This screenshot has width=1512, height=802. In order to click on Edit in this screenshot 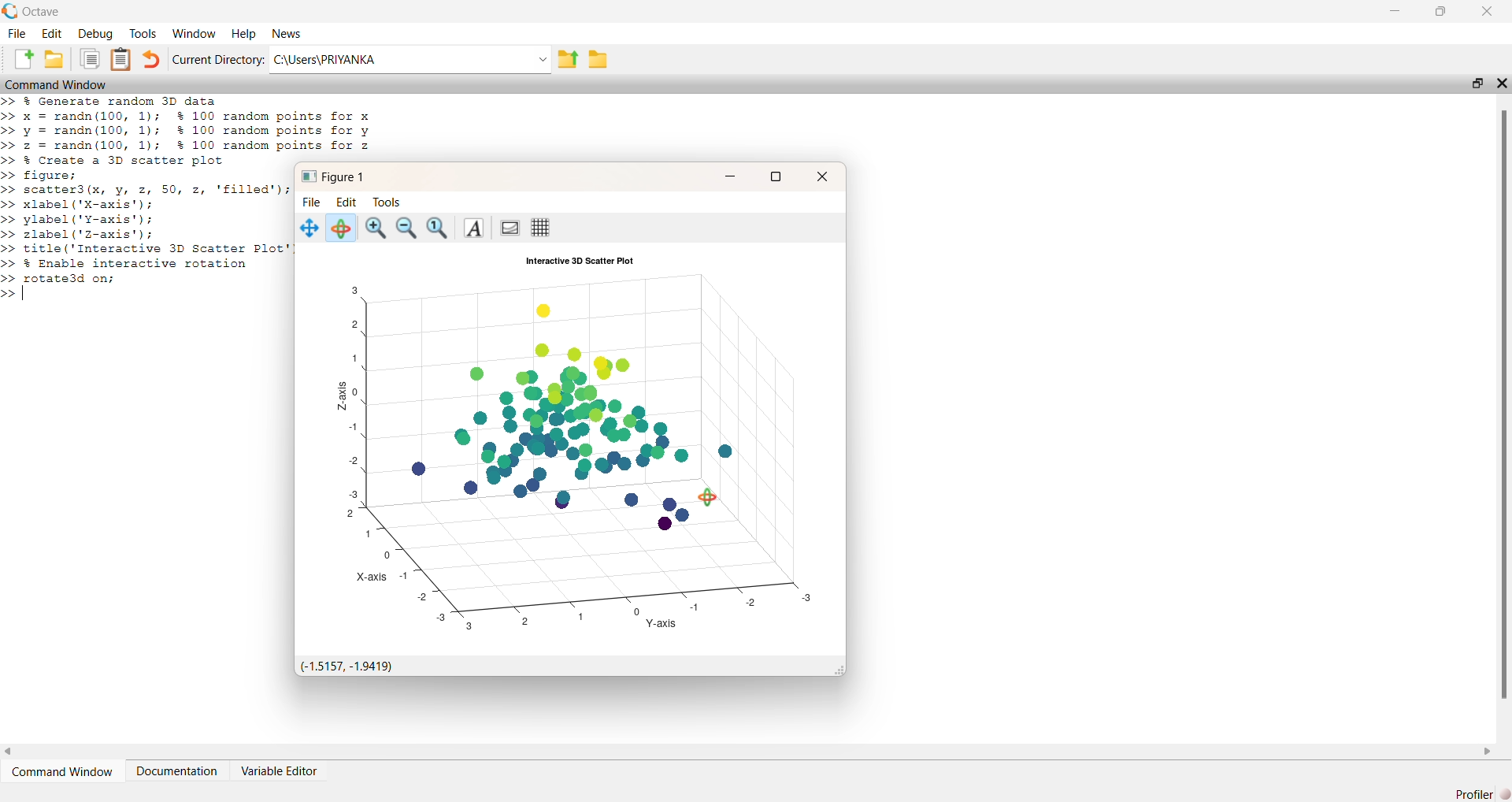, I will do `click(346, 202)`.